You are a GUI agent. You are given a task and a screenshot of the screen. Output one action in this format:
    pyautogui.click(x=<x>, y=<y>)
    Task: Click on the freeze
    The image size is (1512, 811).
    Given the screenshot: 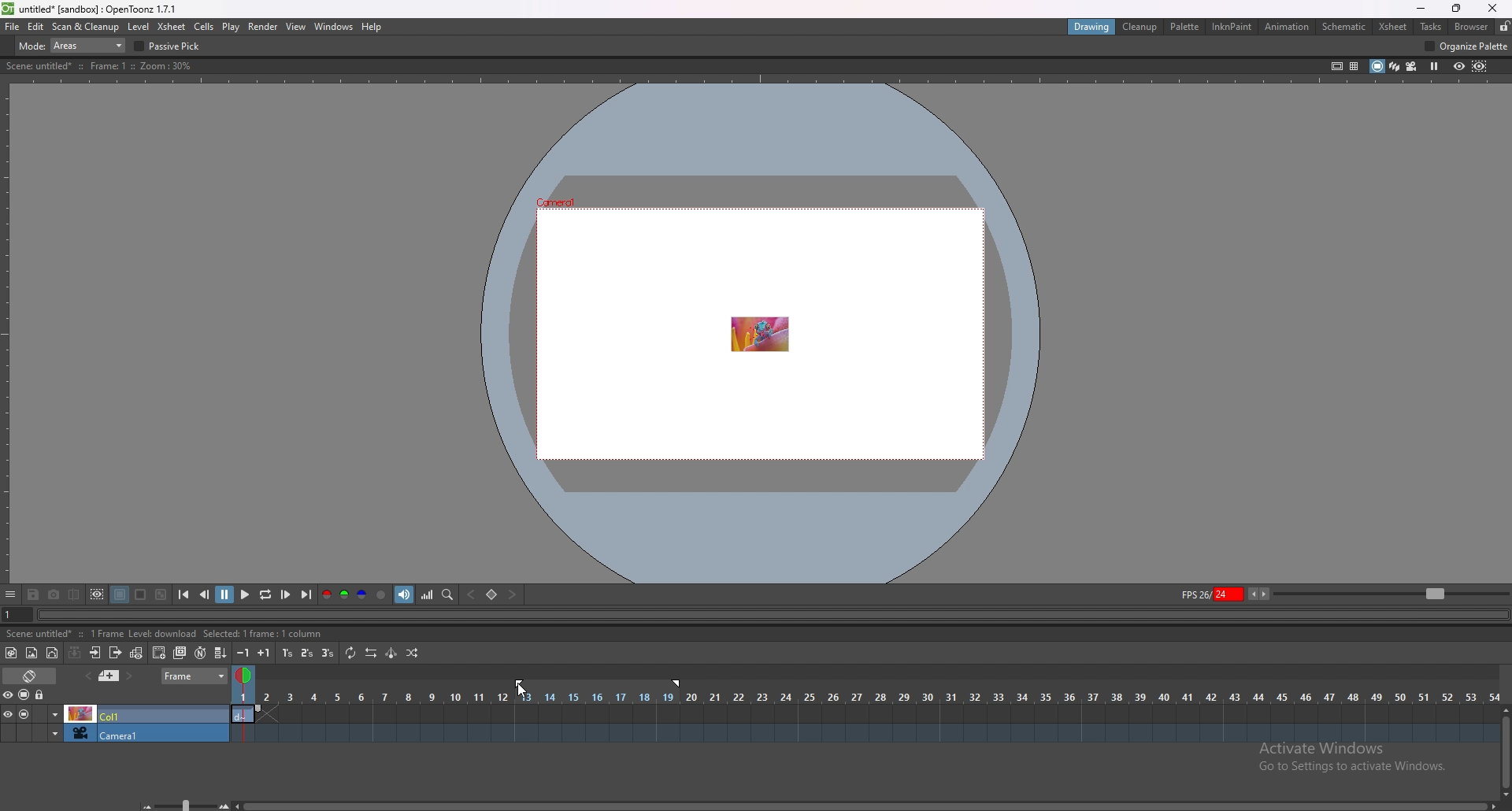 What is the action you would take?
    pyautogui.click(x=1435, y=67)
    